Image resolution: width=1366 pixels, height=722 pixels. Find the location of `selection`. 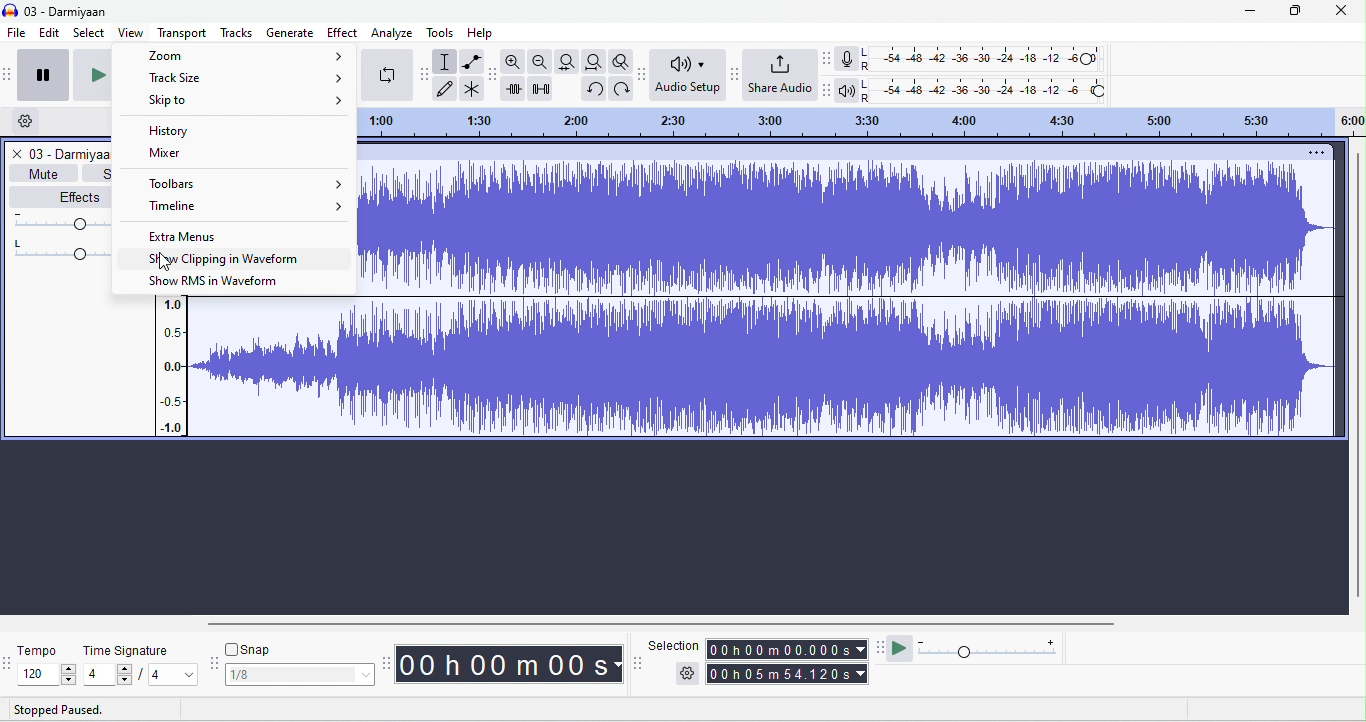

selection is located at coordinates (674, 644).